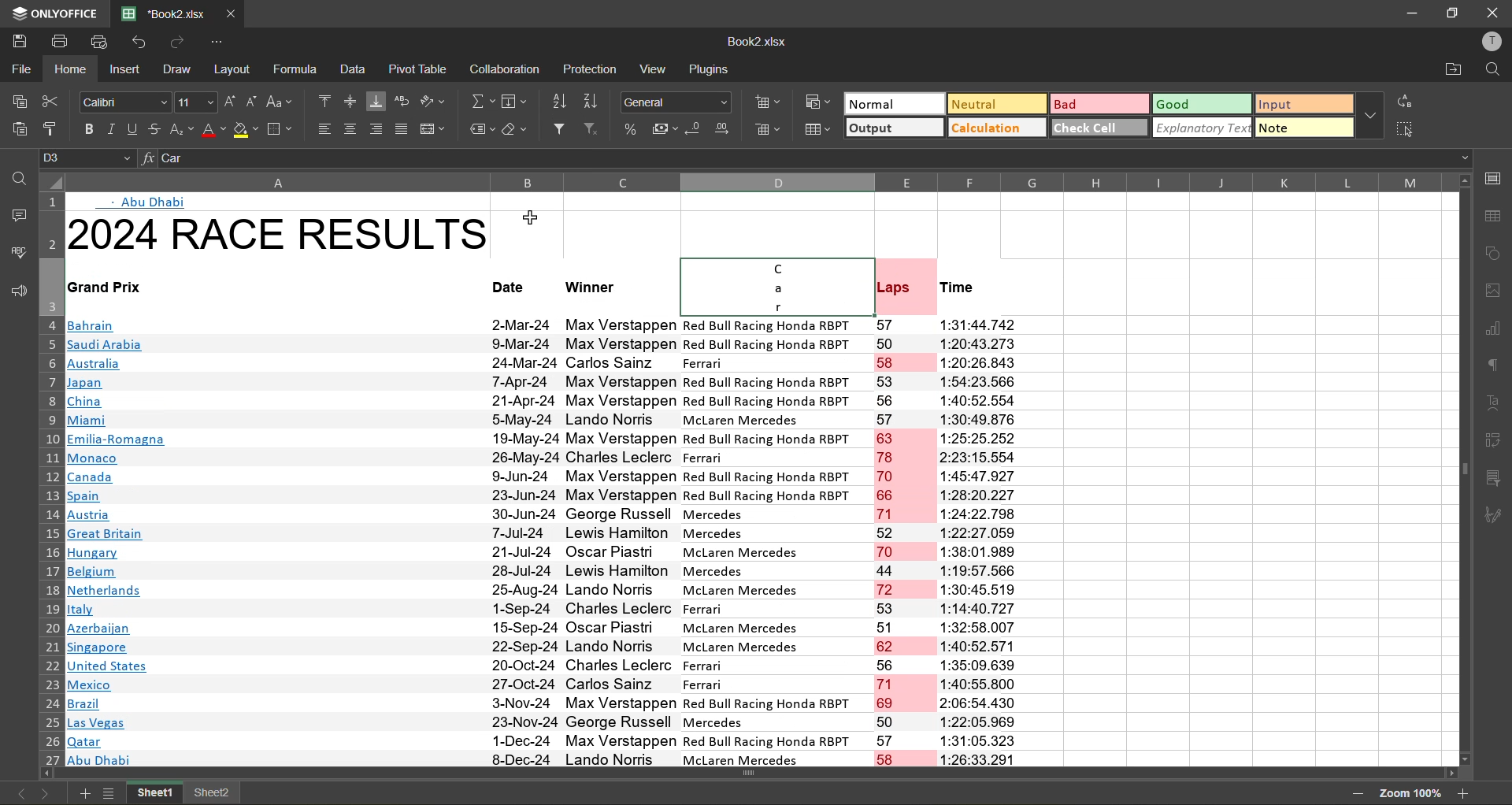 The width and height of the screenshot is (1512, 805). What do you see at coordinates (56, 483) in the screenshot?
I see `row numbers` at bounding box center [56, 483].